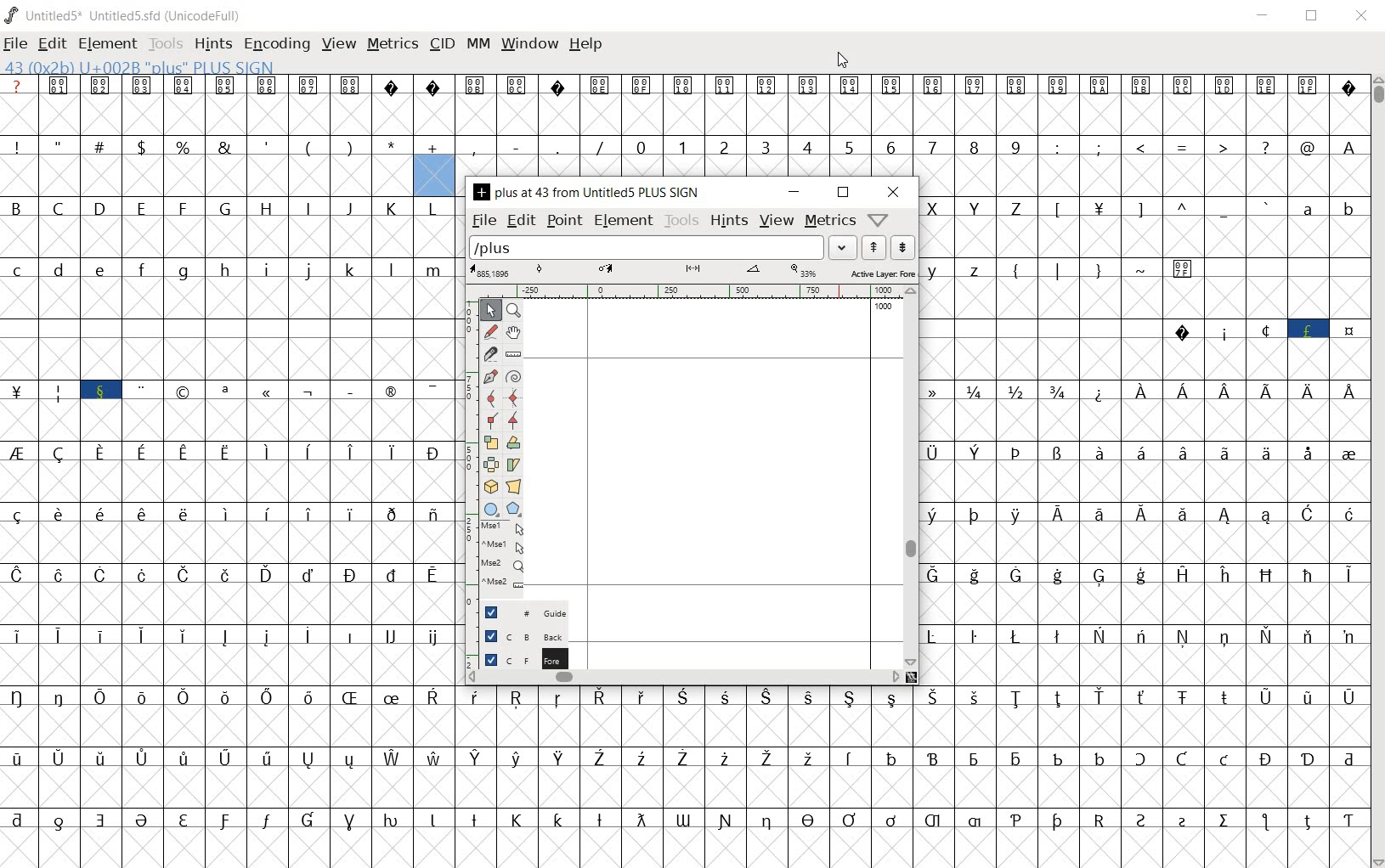 The width and height of the screenshot is (1385, 868). What do you see at coordinates (520, 222) in the screenshot?
I see `edit` at bounding box center [520, 222].